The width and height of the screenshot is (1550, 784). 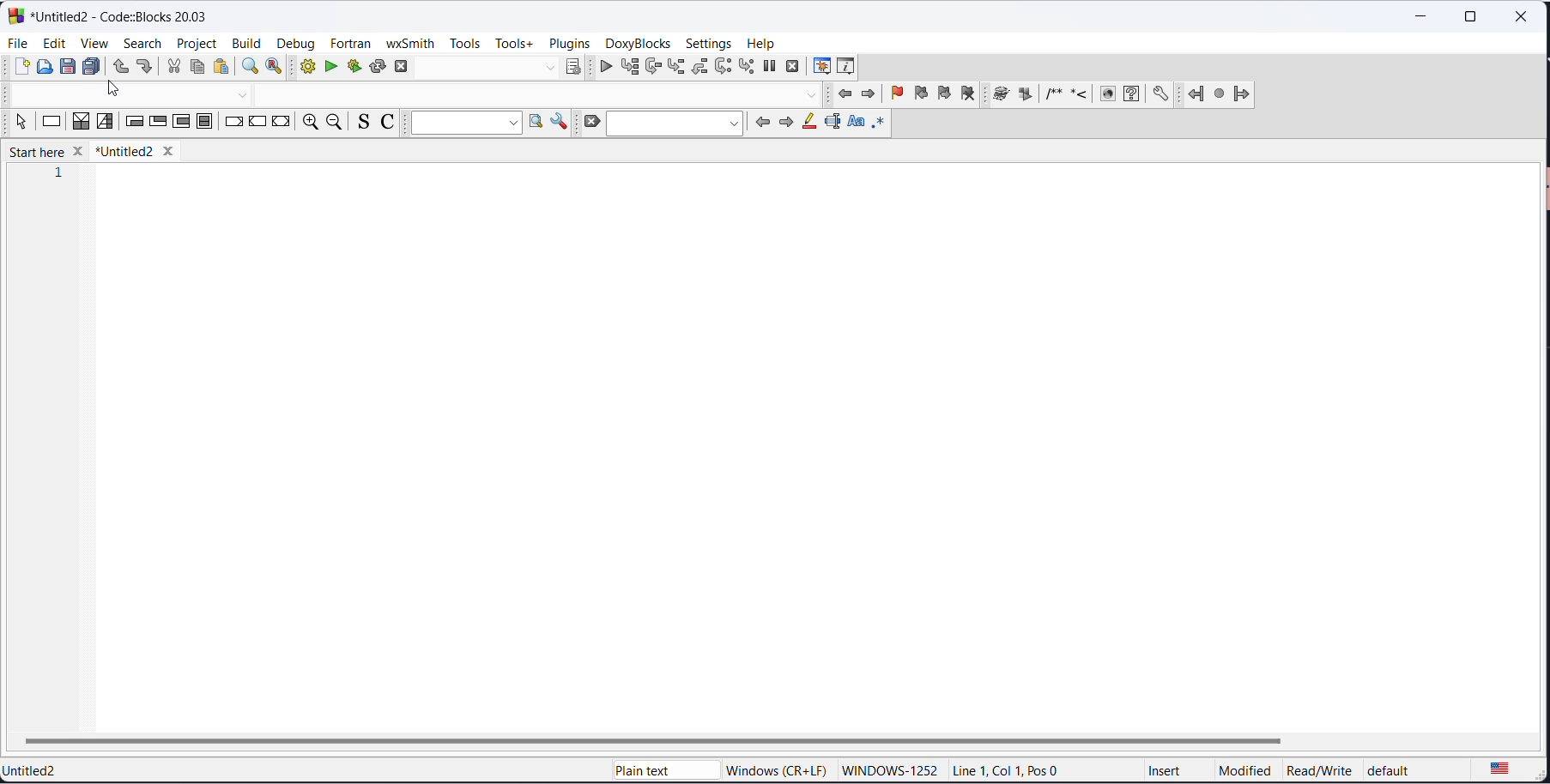 What do you see at coordinates (392, 124) in the screenshot?
I see `toggle comments` at bounding box center [392, 124].